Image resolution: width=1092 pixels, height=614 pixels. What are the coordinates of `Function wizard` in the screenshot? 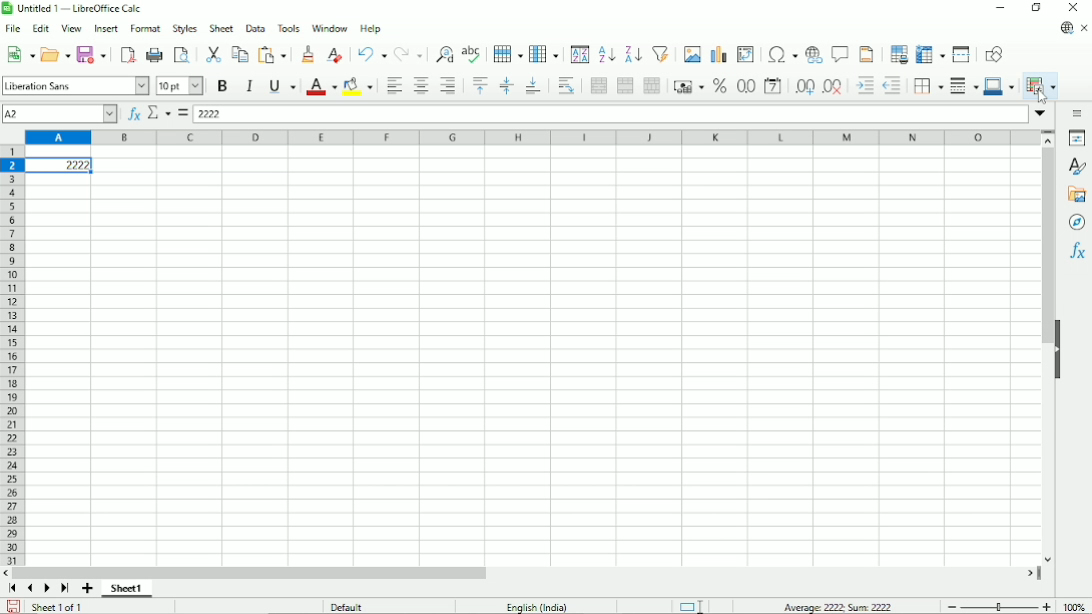 It's located at (134, 114).